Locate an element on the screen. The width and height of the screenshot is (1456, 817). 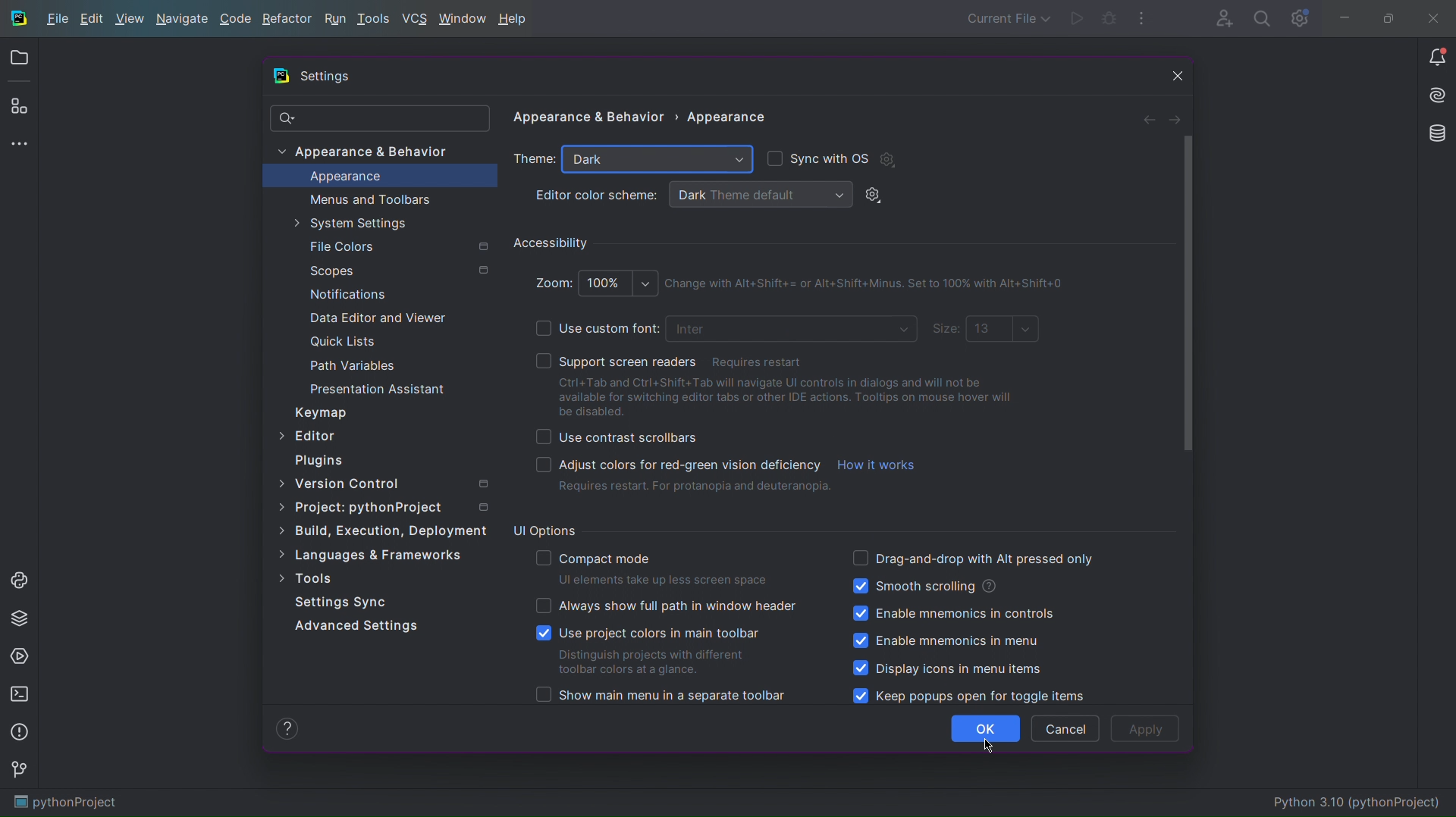
Project: pythonProject is located at coordinates (387, 507).